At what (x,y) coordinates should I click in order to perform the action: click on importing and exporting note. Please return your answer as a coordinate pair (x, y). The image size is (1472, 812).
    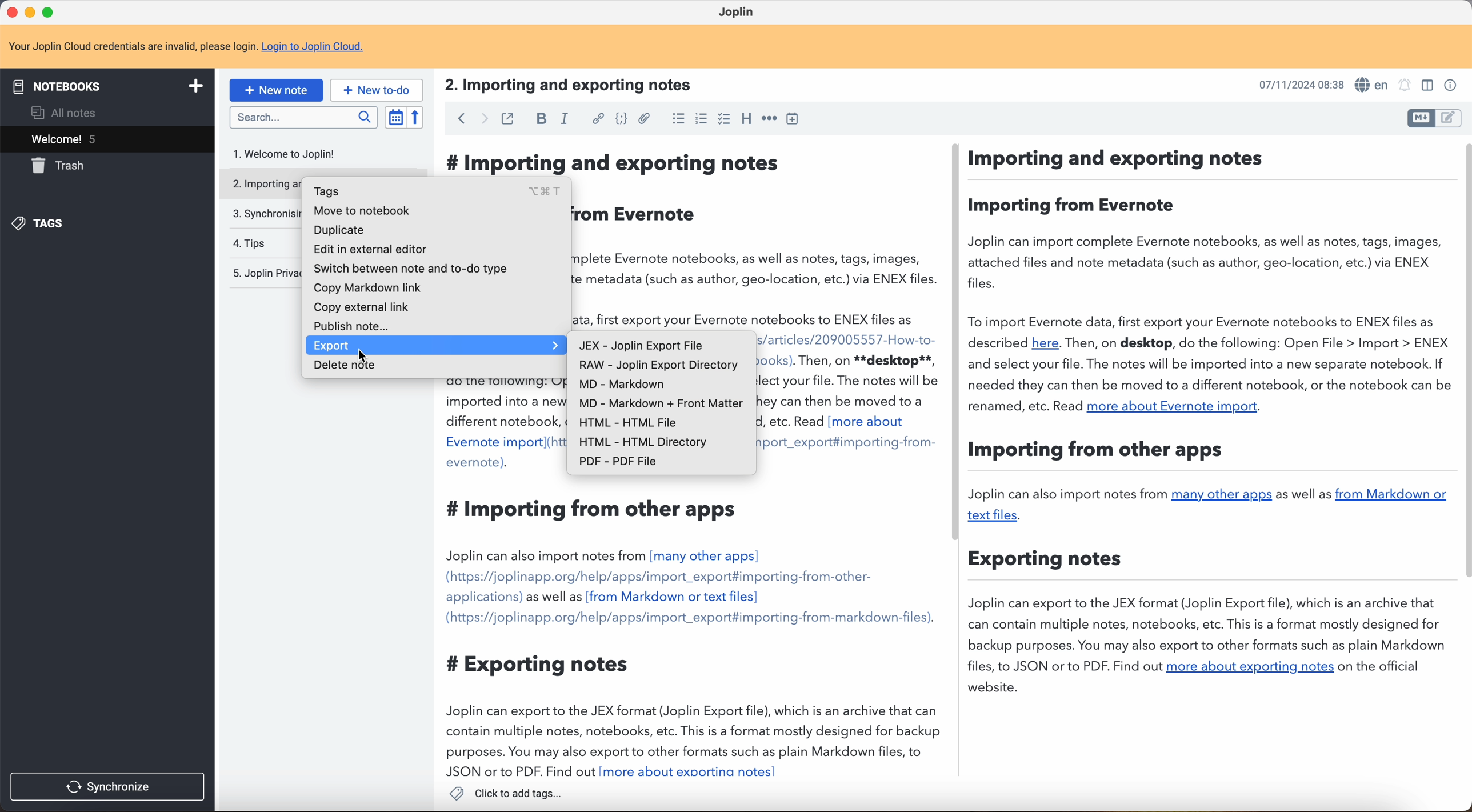
    Looking at the image, I should click on (849, 554).